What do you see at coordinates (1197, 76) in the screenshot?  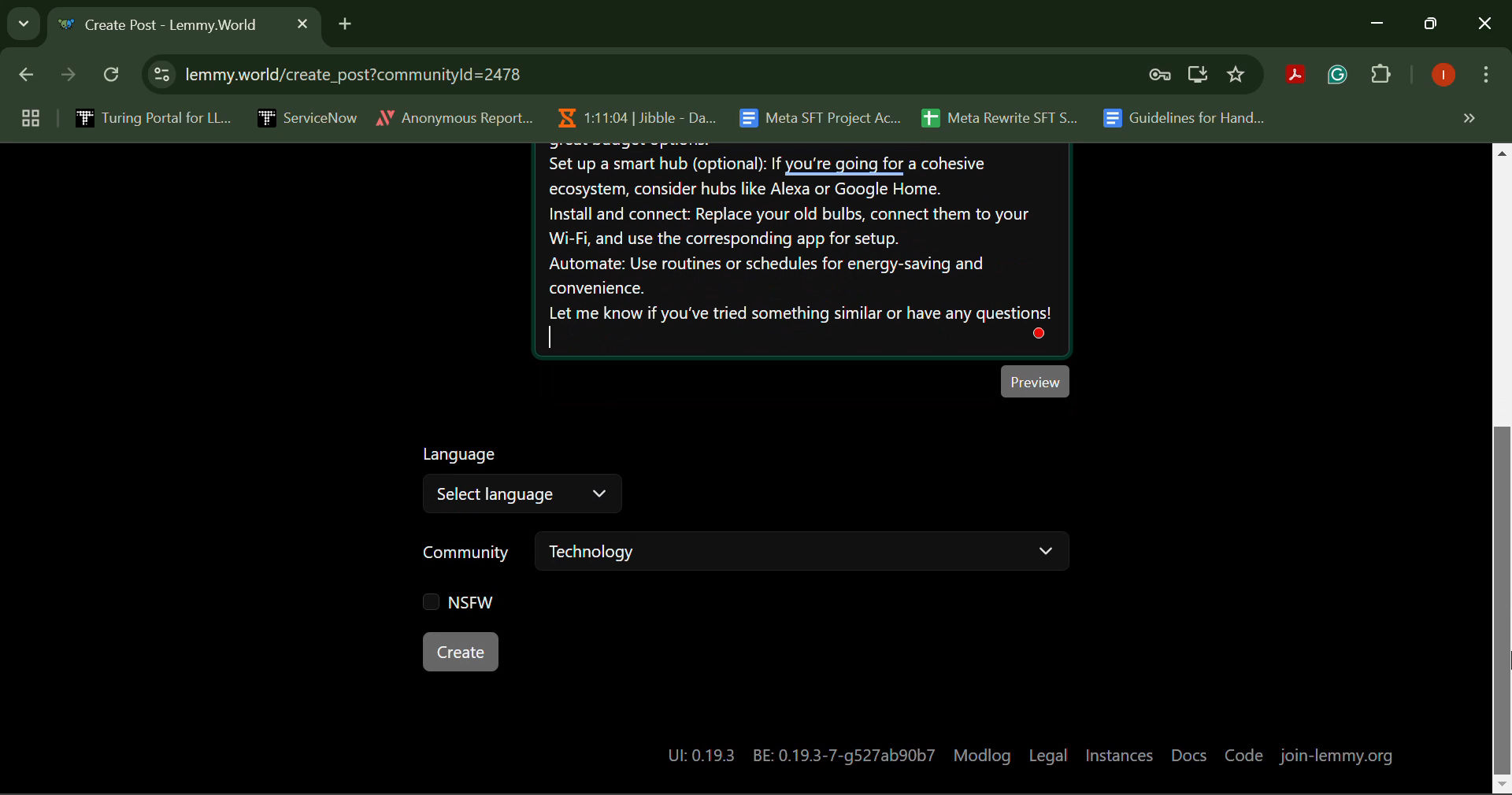 I see `Install Desktop Application` at bounding box center [1197, 76].